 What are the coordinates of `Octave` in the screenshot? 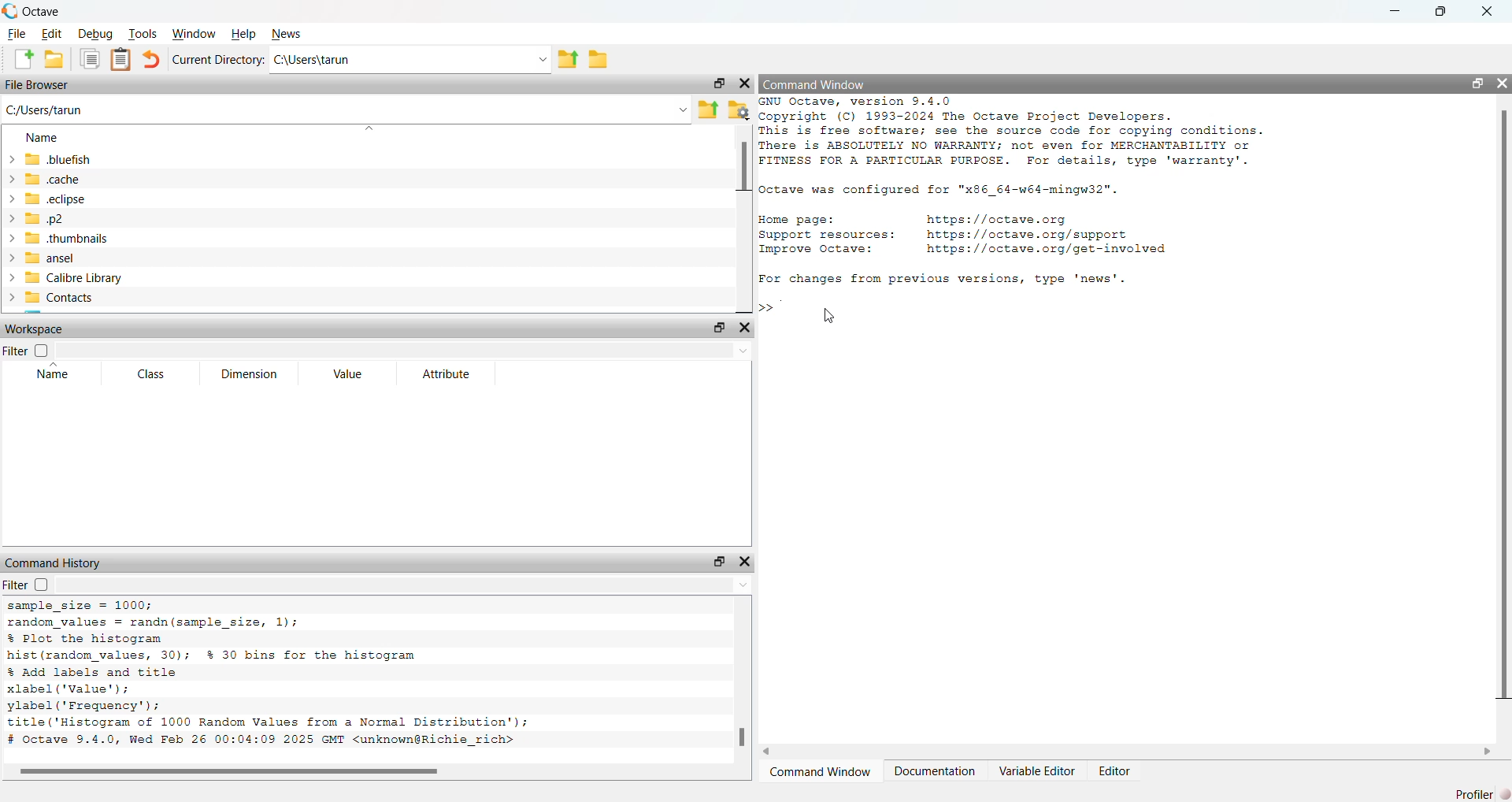 It's located at (43, 11).